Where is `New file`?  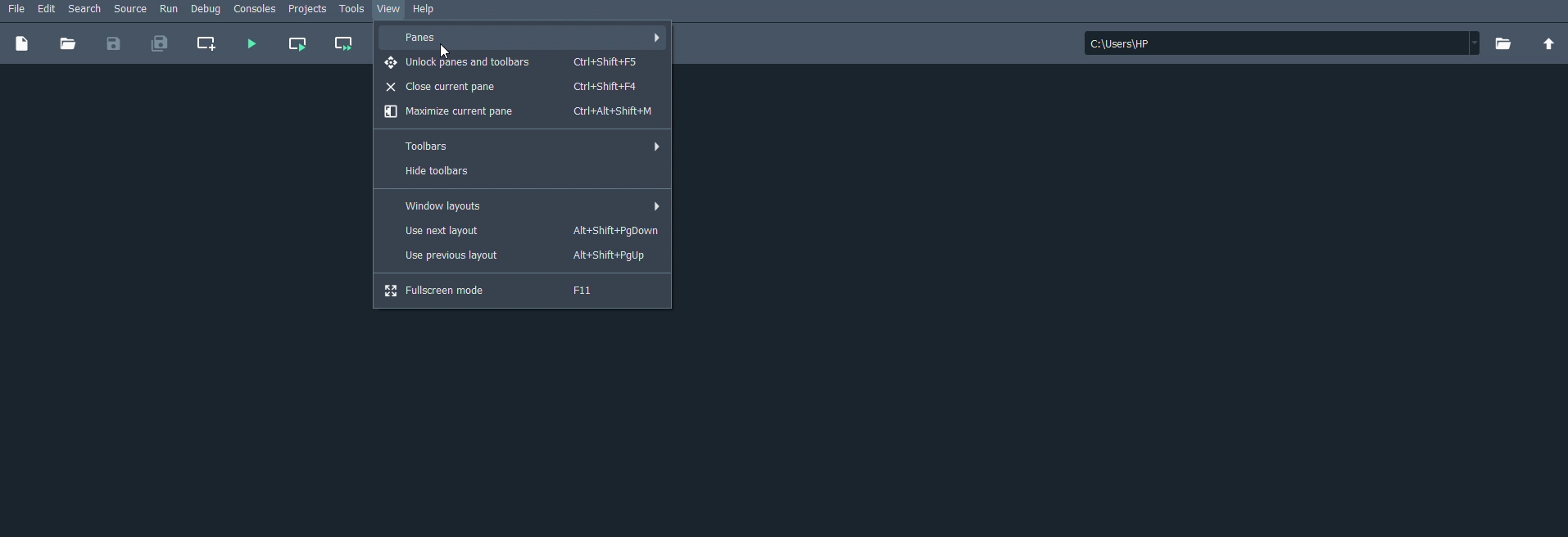
New file is located at coordinates (23, 43).